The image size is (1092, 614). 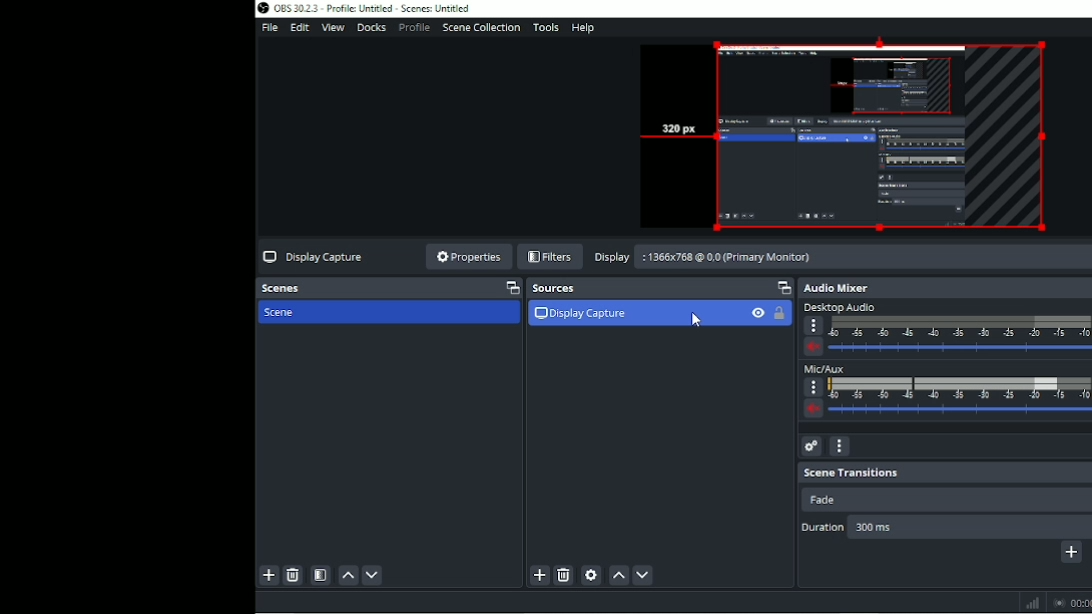 I want to click on Title, so click(x=371, y=8).